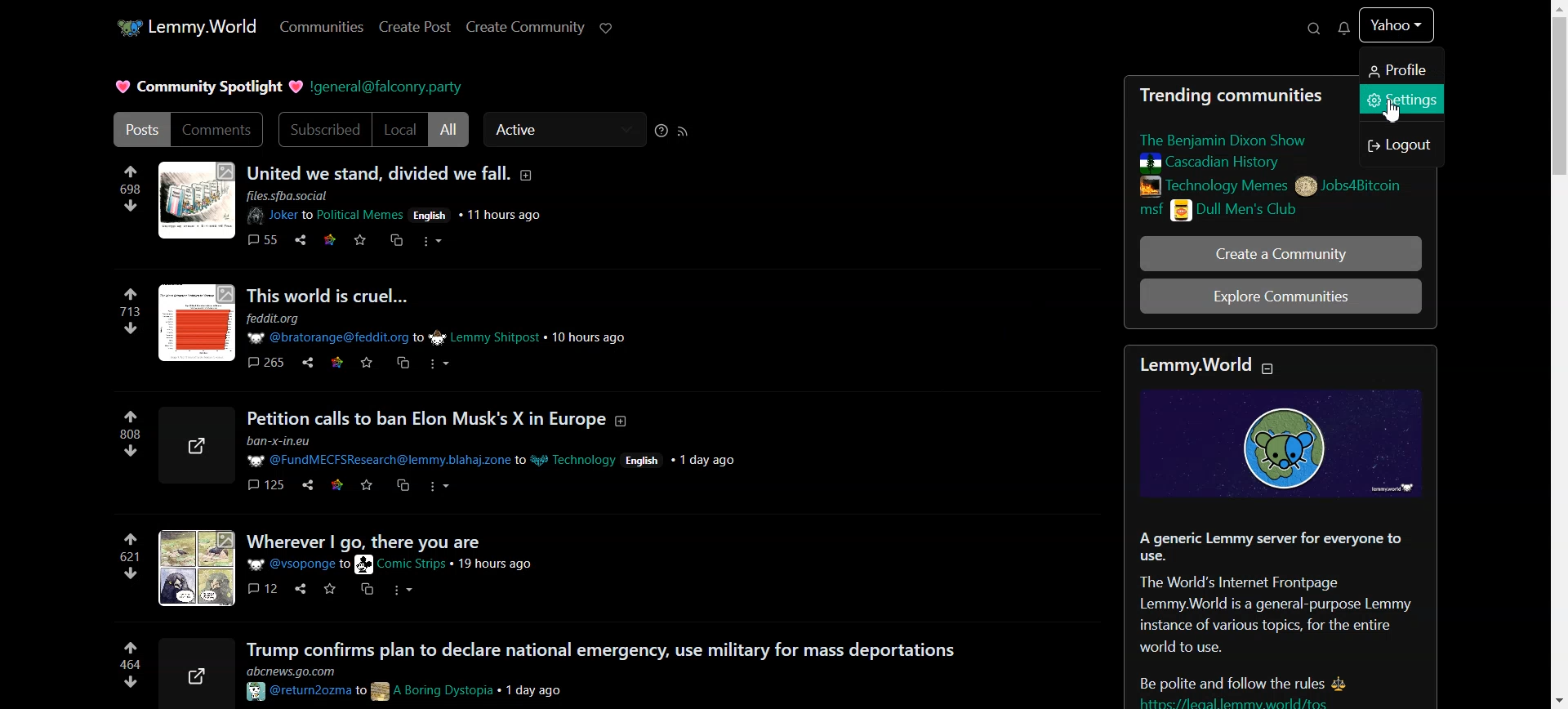 The height and width of the screenshot is (709, 1568). What do you see at coordinates (1558, 354) in the screenshot?
I see `Vertical scroll bar` at bounding box center [1558, 354].